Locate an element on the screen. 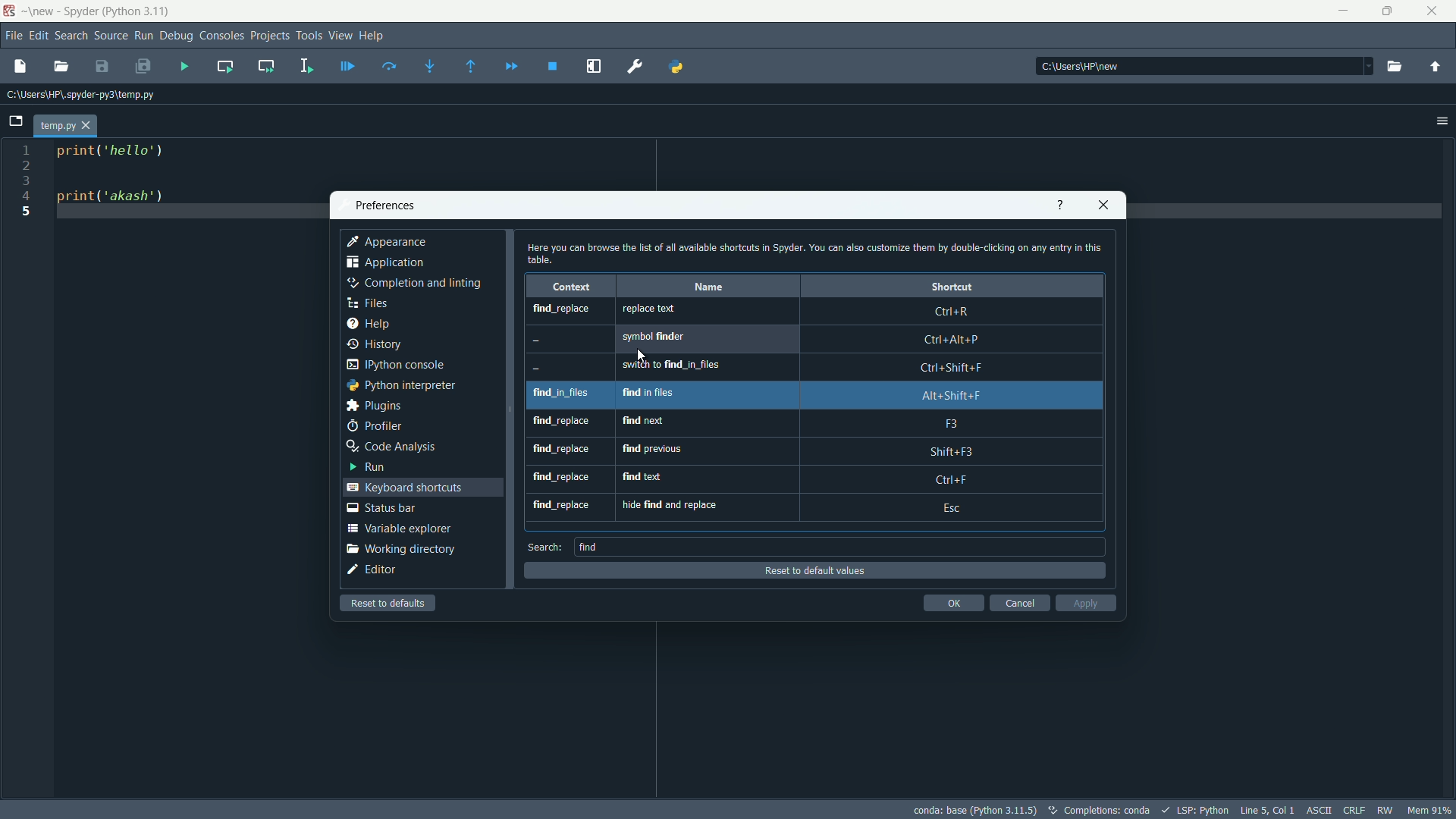 The height and width of the screenshot is (819, 1456). open directory is located at coordinates (1398, 68).